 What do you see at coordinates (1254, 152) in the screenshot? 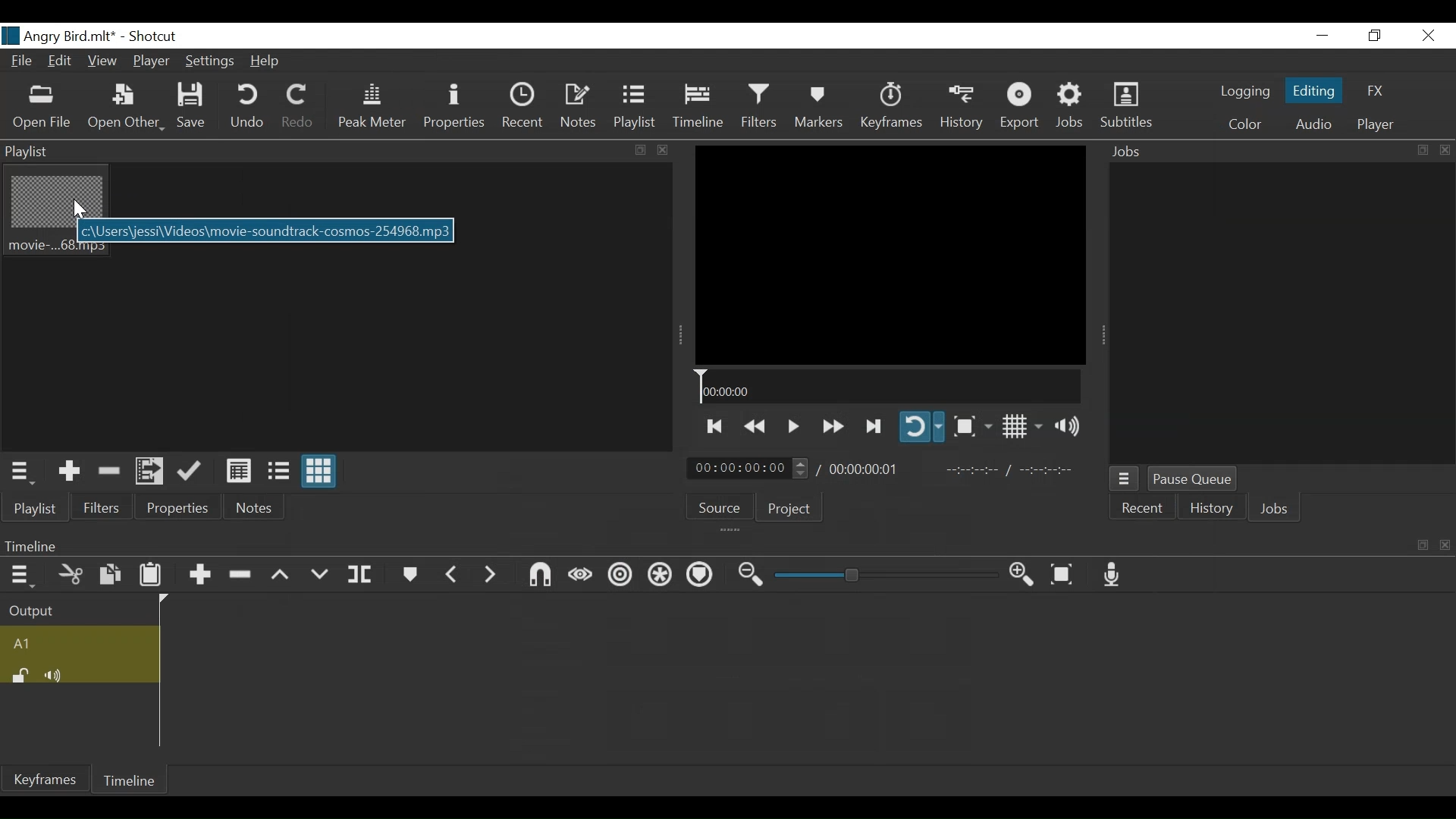
I see `Jobs` at bounding box center [1254, 152].